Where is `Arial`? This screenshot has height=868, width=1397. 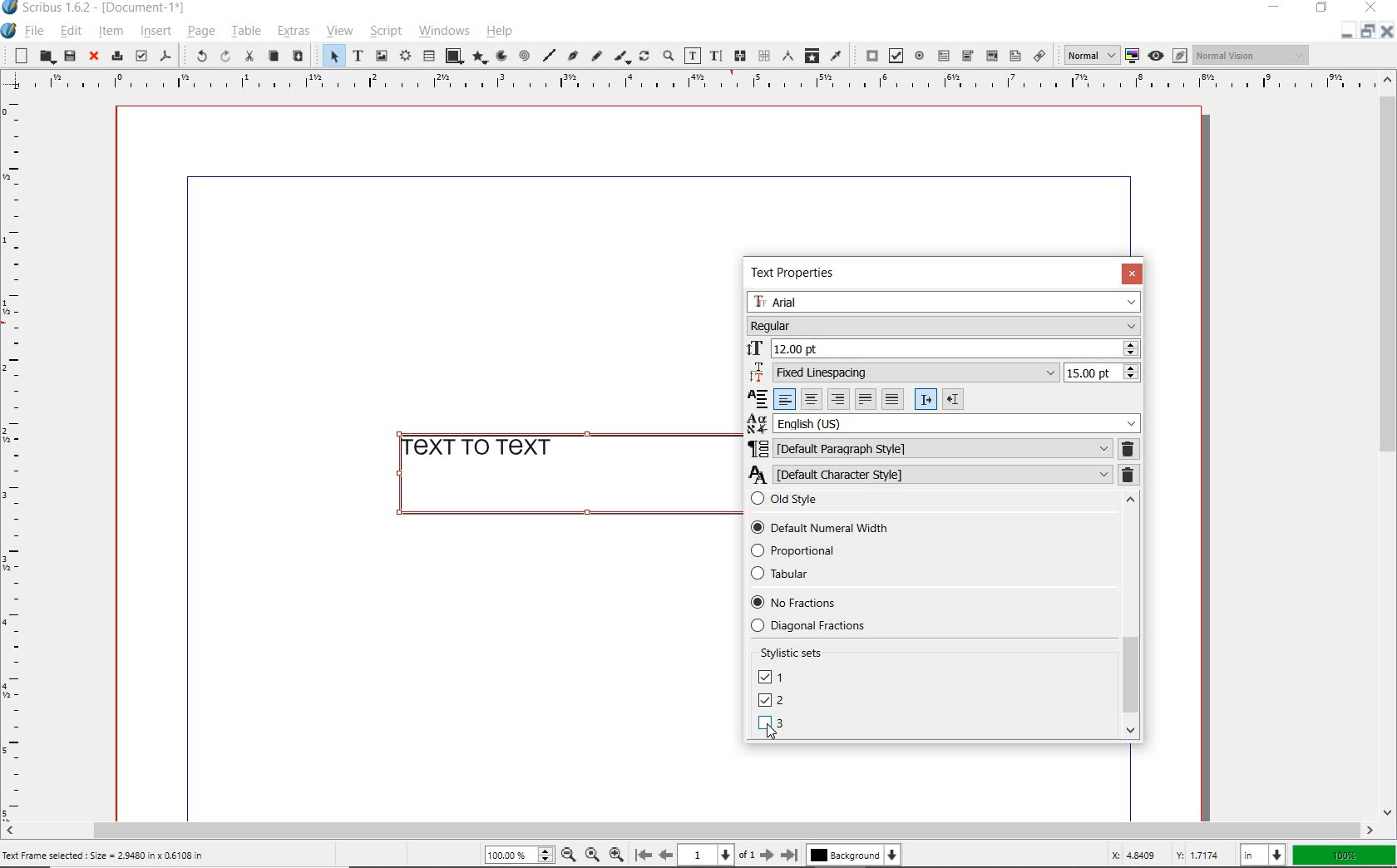 Arial is located at coordinates (942, 301).